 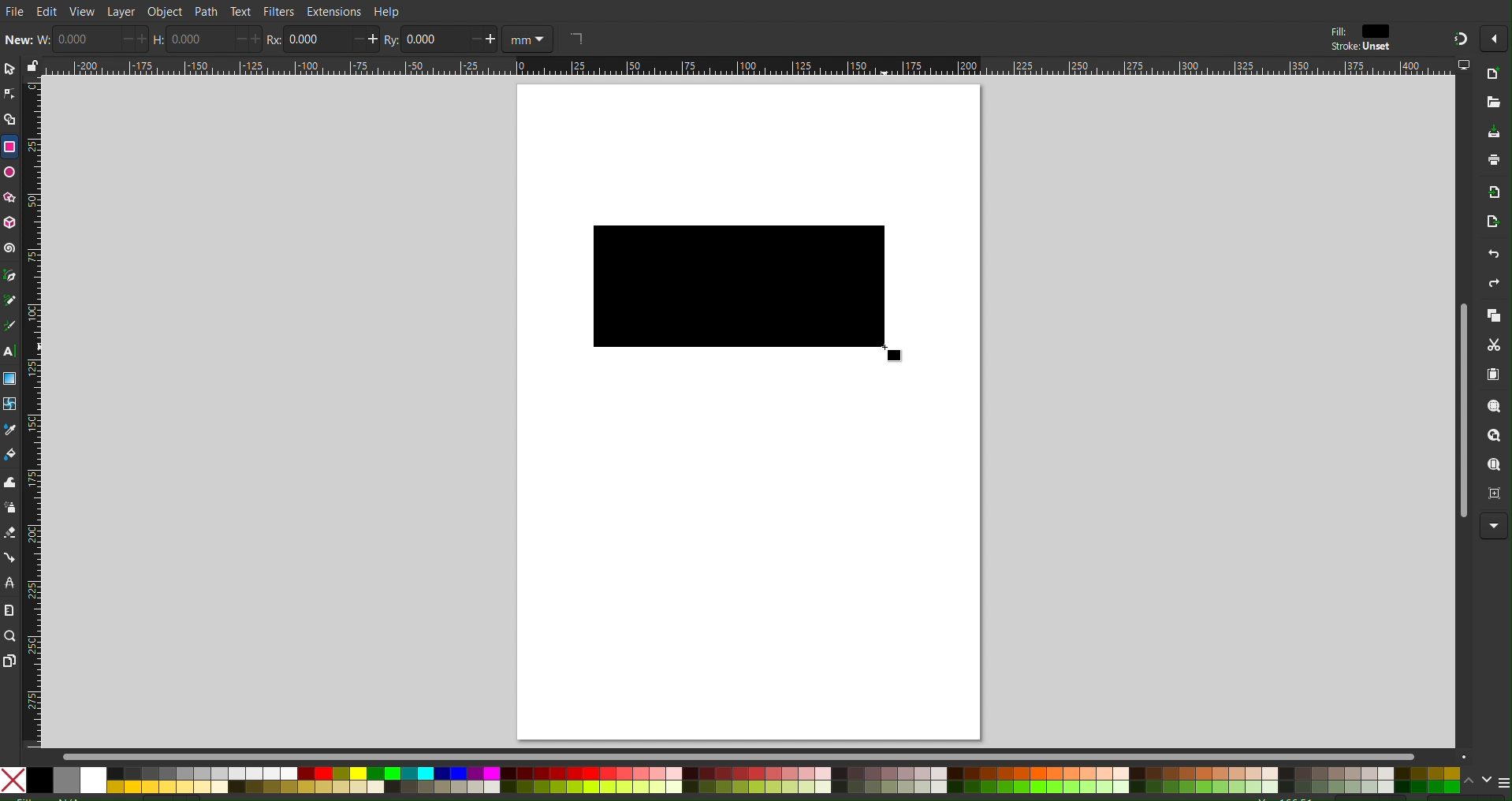 What do you see at coordinates (9, 248) in the screenshot?
I see `Spiral` at bounding box center [9, 248].